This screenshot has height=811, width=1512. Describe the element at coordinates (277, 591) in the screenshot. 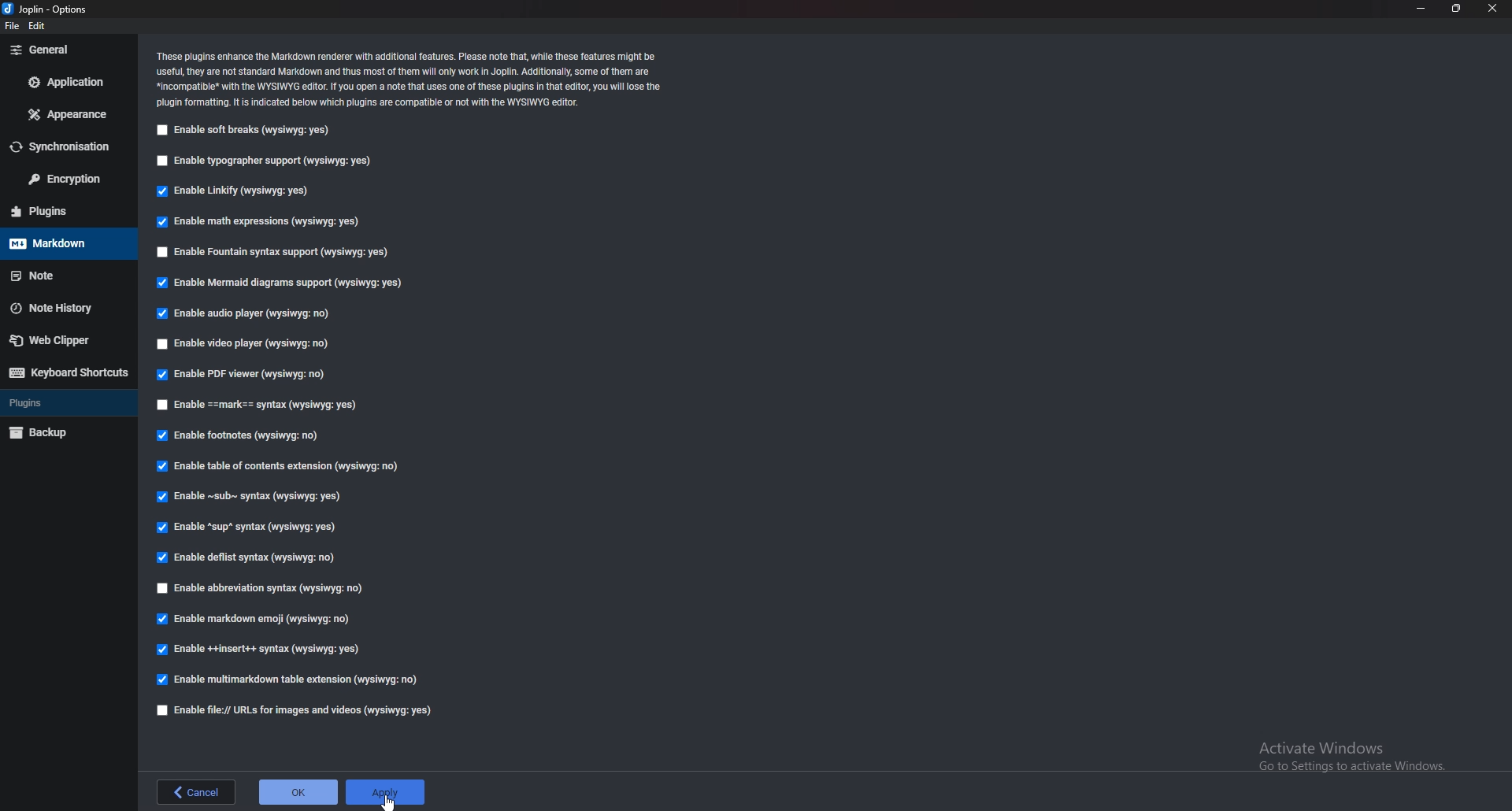

I see `Enable abbreviations syntax (wysiqyg:no)` at that location.